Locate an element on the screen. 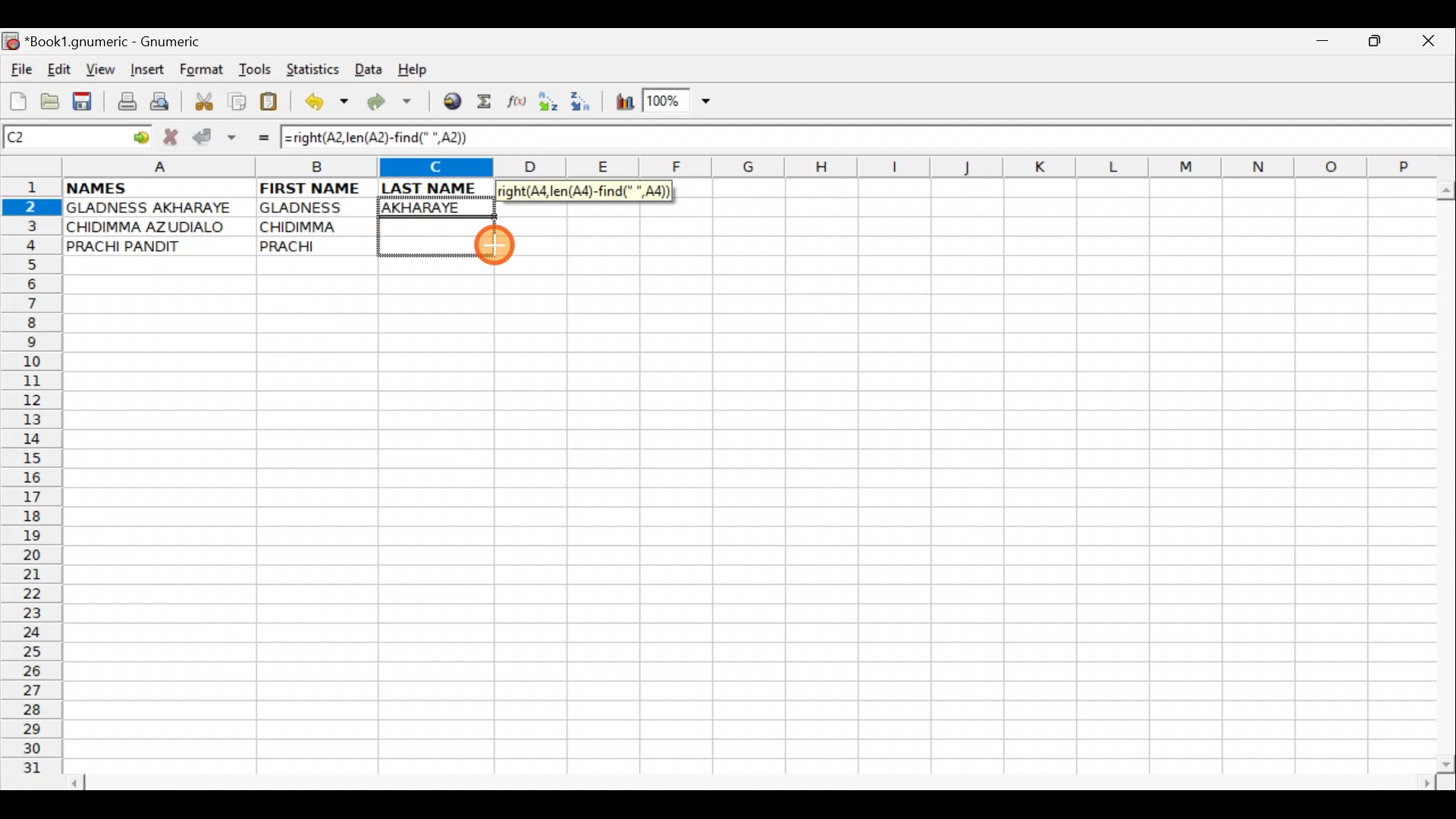 The width and height of the screenshot is (1456, 819). Cells is located at coordinates (742, 524).